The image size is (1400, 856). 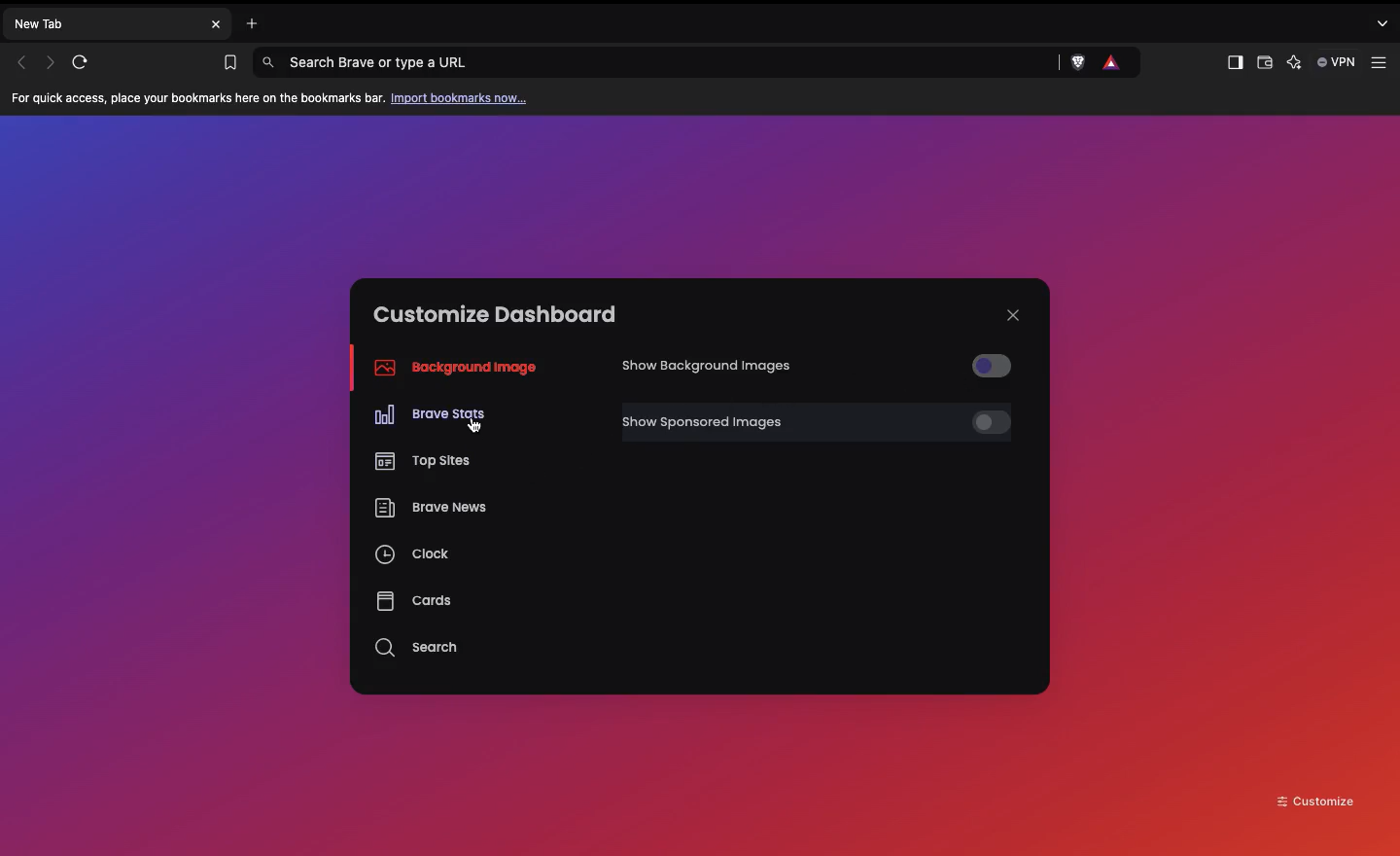 What do you see at coordinates (247, 21) in the screenshot?
I see `Open new tab` at bounding box center [247, 21].